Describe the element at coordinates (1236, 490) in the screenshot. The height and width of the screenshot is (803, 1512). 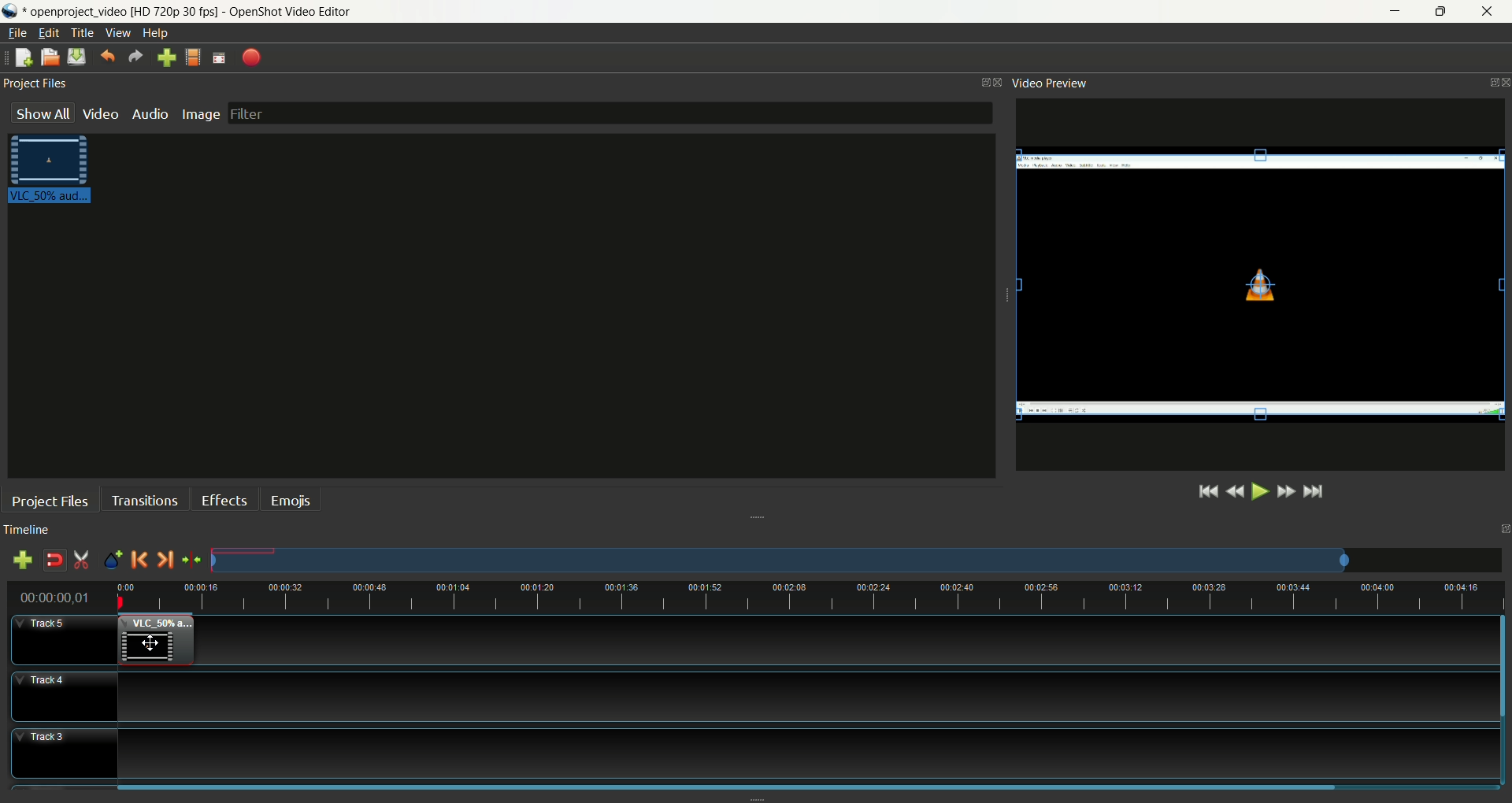
I see `rewind` at that location.